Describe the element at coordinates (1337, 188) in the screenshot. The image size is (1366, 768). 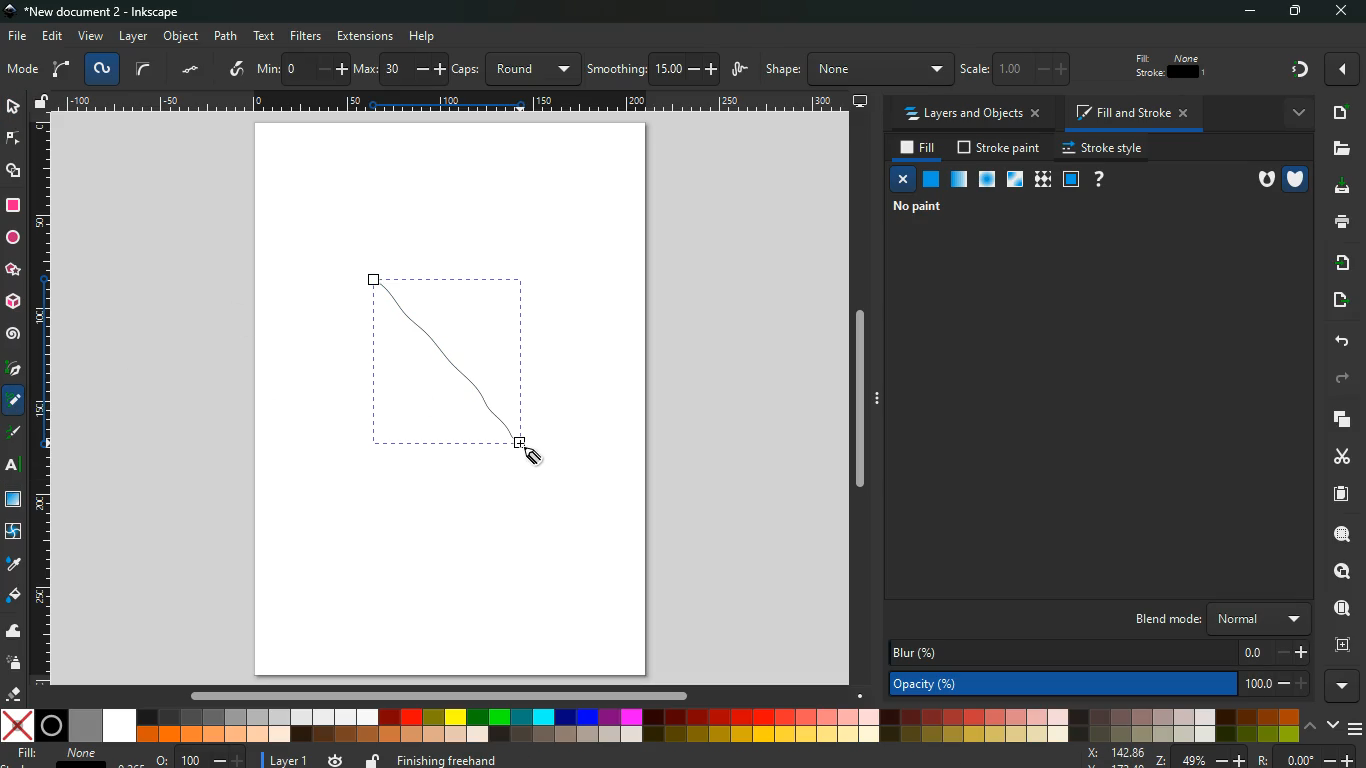
I see `download` at that location.